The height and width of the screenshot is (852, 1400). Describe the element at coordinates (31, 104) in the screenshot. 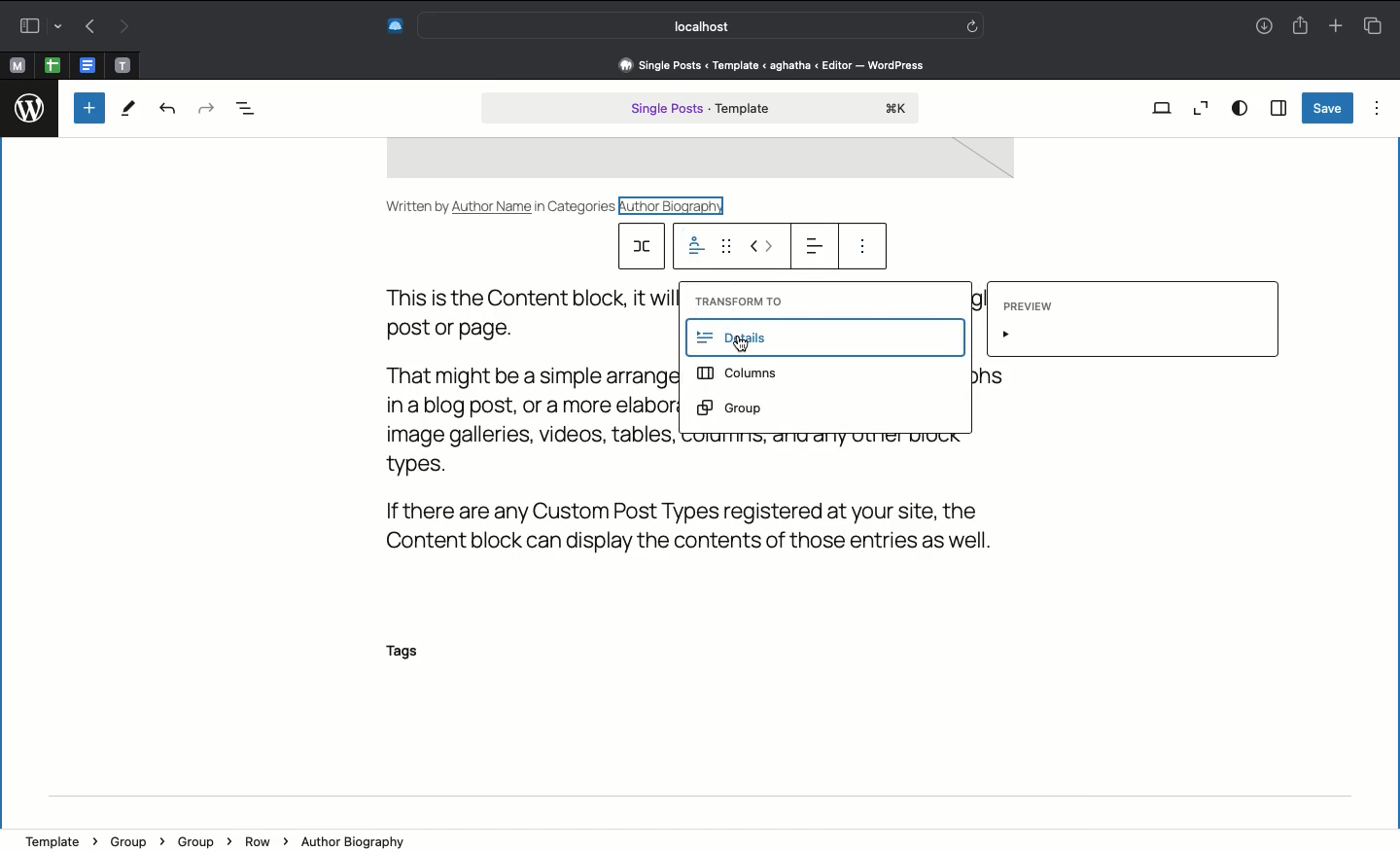

I see `logo` at that location.